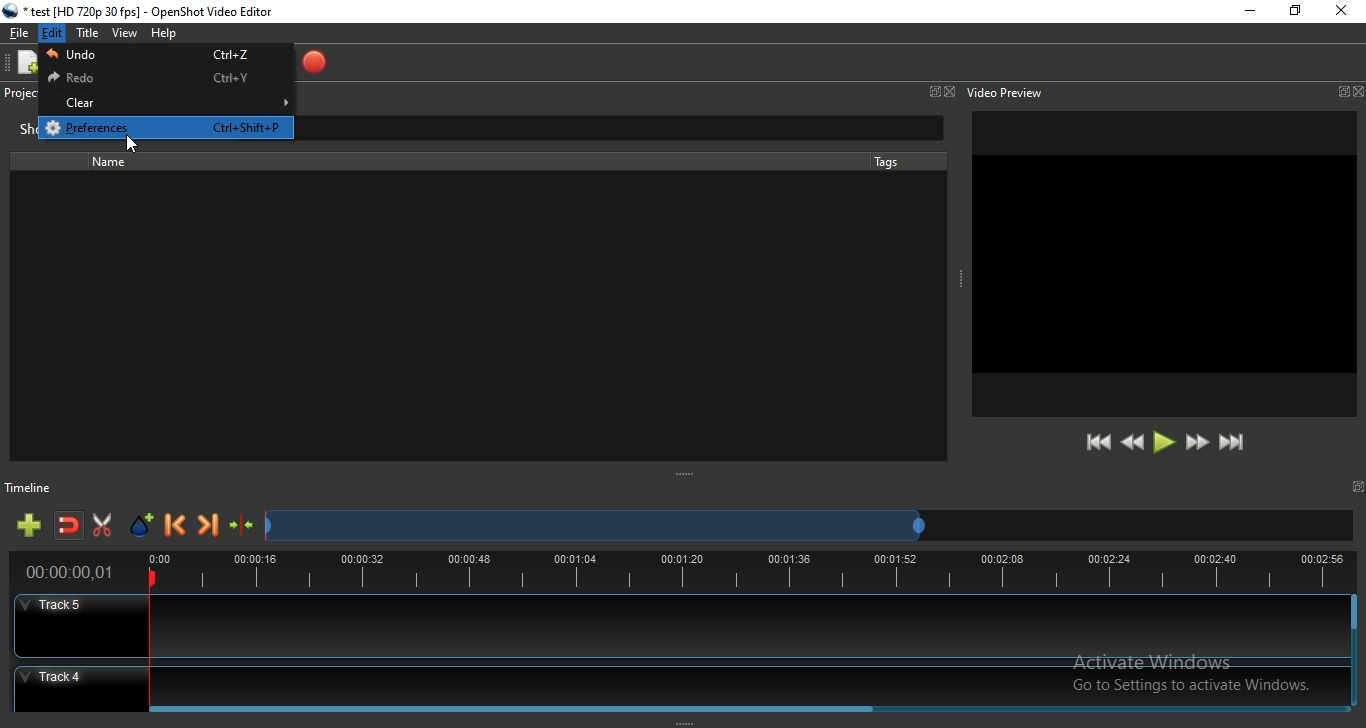  Describe the element at coordinates (950, 92) in the screenshot. I see `Close` at that location.